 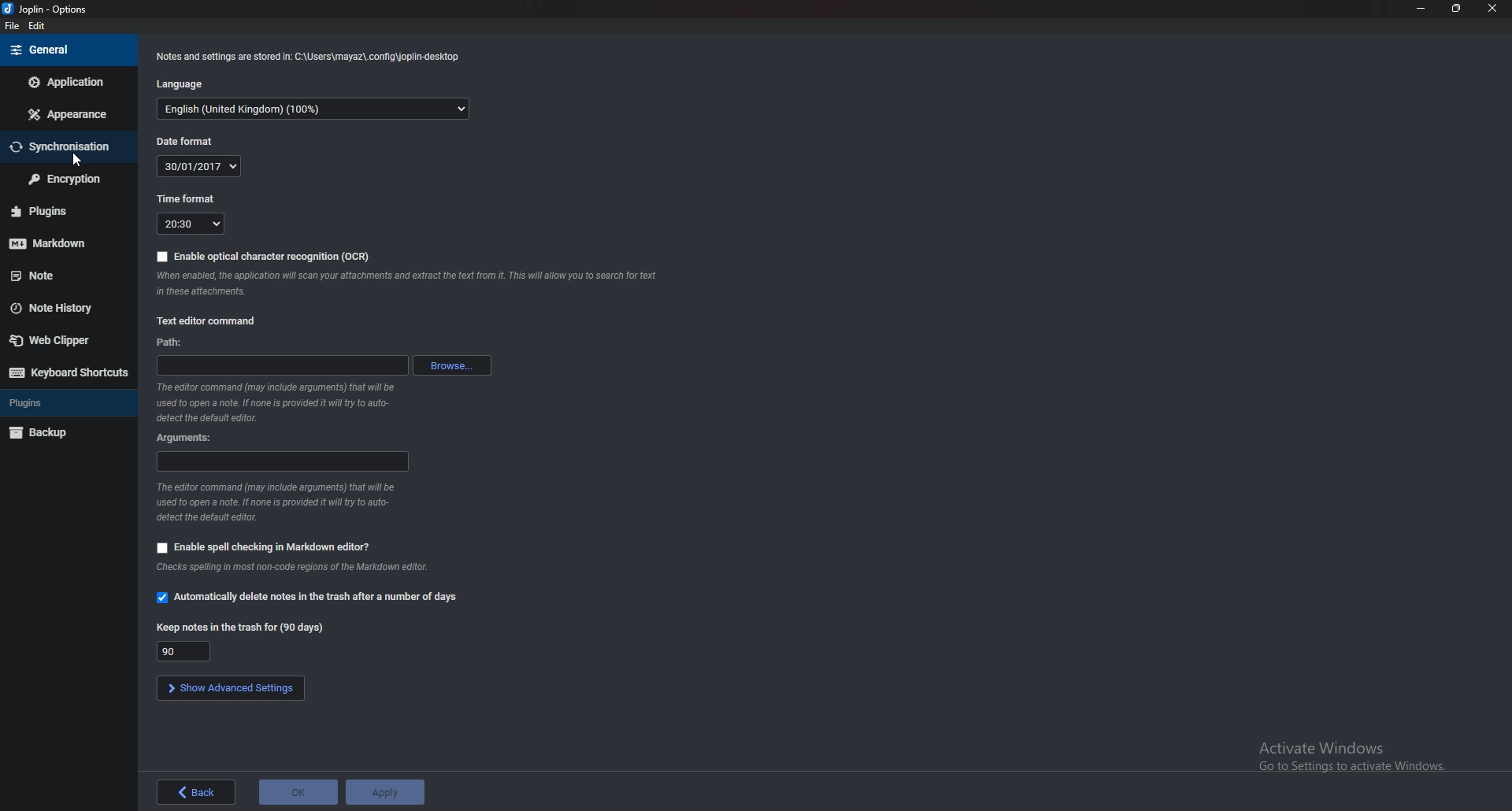 What do you see at coordinates (76, 157) in the screenshot?
I see `cursor` at bounding box center [76, 157].